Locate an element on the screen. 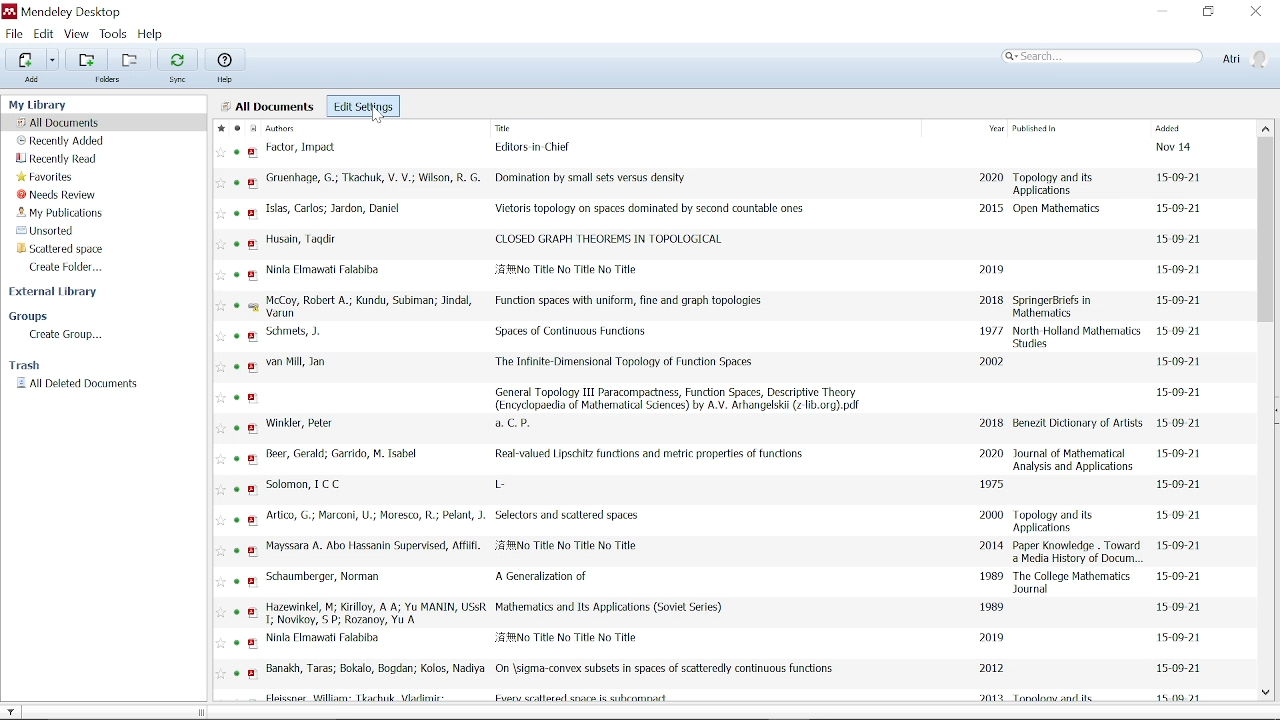 The height and width of the screenshot is (720, 1280). All deleted documents is located at coordinates (76, 383).